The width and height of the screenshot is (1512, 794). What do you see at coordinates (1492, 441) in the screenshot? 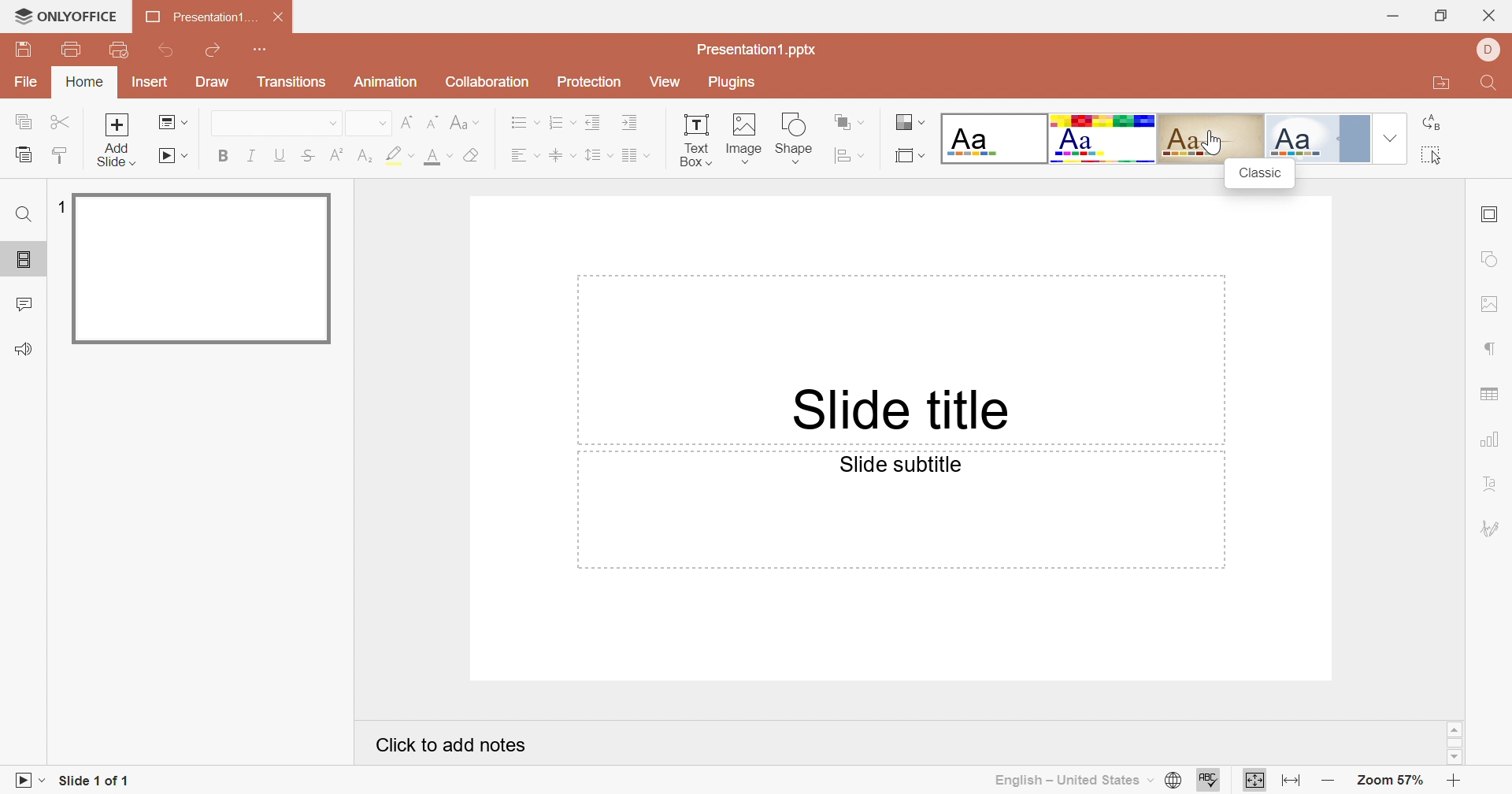
I see `Chart settings` at bounding box center [1492, 441].